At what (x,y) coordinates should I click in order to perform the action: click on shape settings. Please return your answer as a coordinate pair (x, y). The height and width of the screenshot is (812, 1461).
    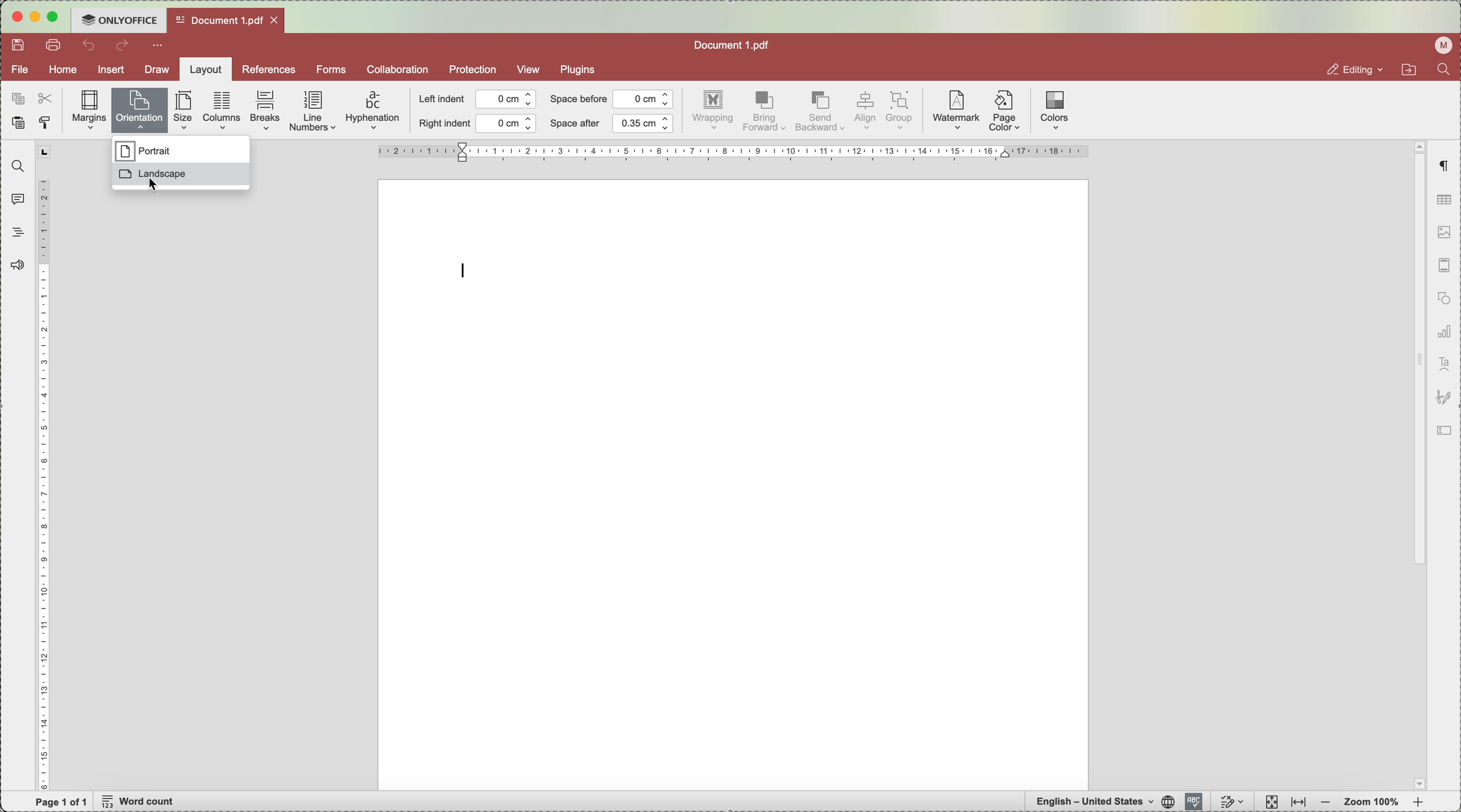
    Looking at the image, I should click on (1442, 301).